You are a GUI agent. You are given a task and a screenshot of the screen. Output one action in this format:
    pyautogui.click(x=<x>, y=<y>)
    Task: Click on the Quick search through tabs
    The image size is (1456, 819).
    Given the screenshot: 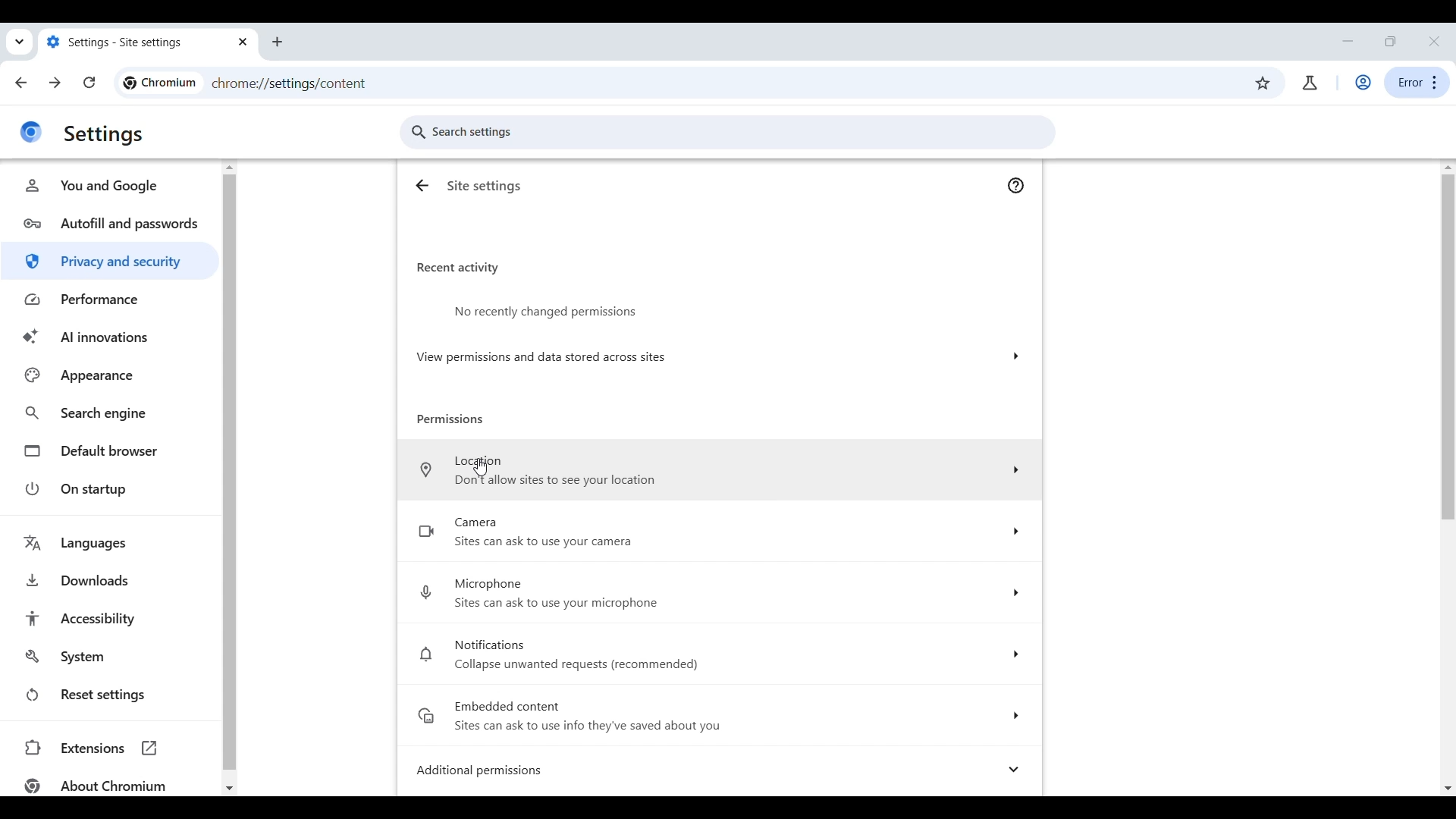 What is the action you would take?
    pyautogui.click(x=20, y=42)
    